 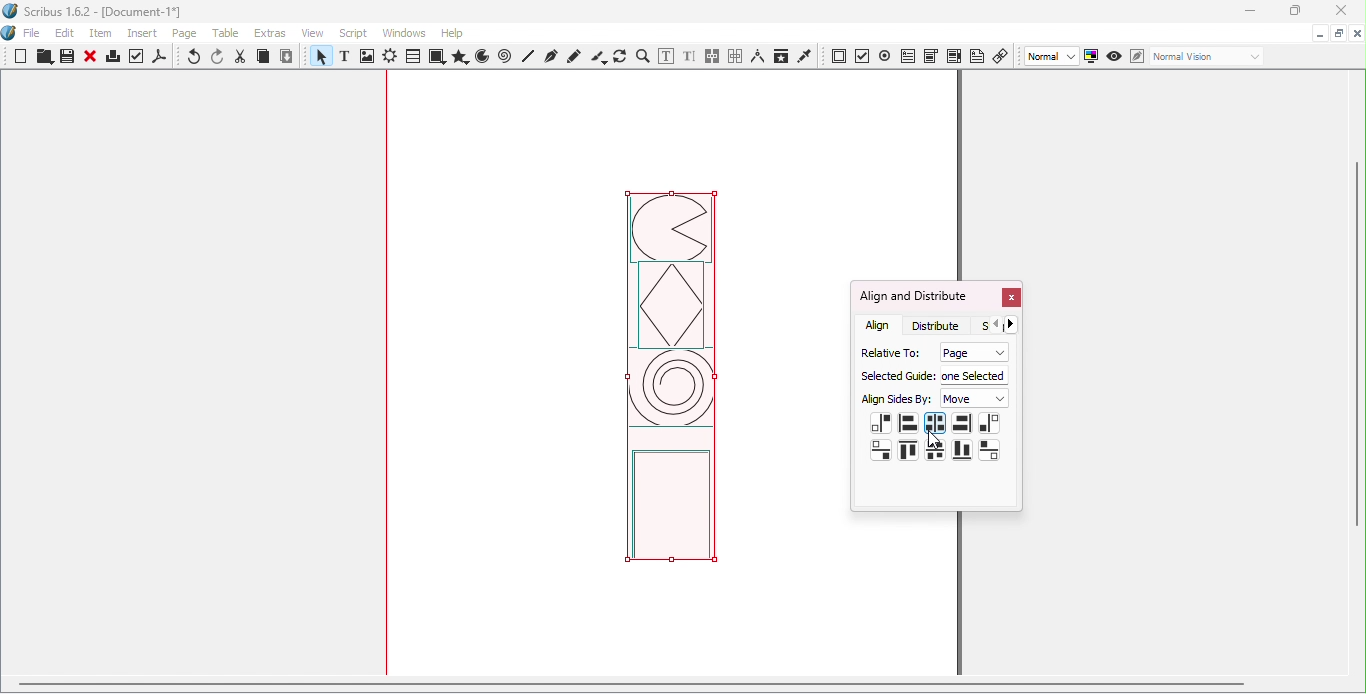 I want to click on Text annotation, so click(x=977, y=55).